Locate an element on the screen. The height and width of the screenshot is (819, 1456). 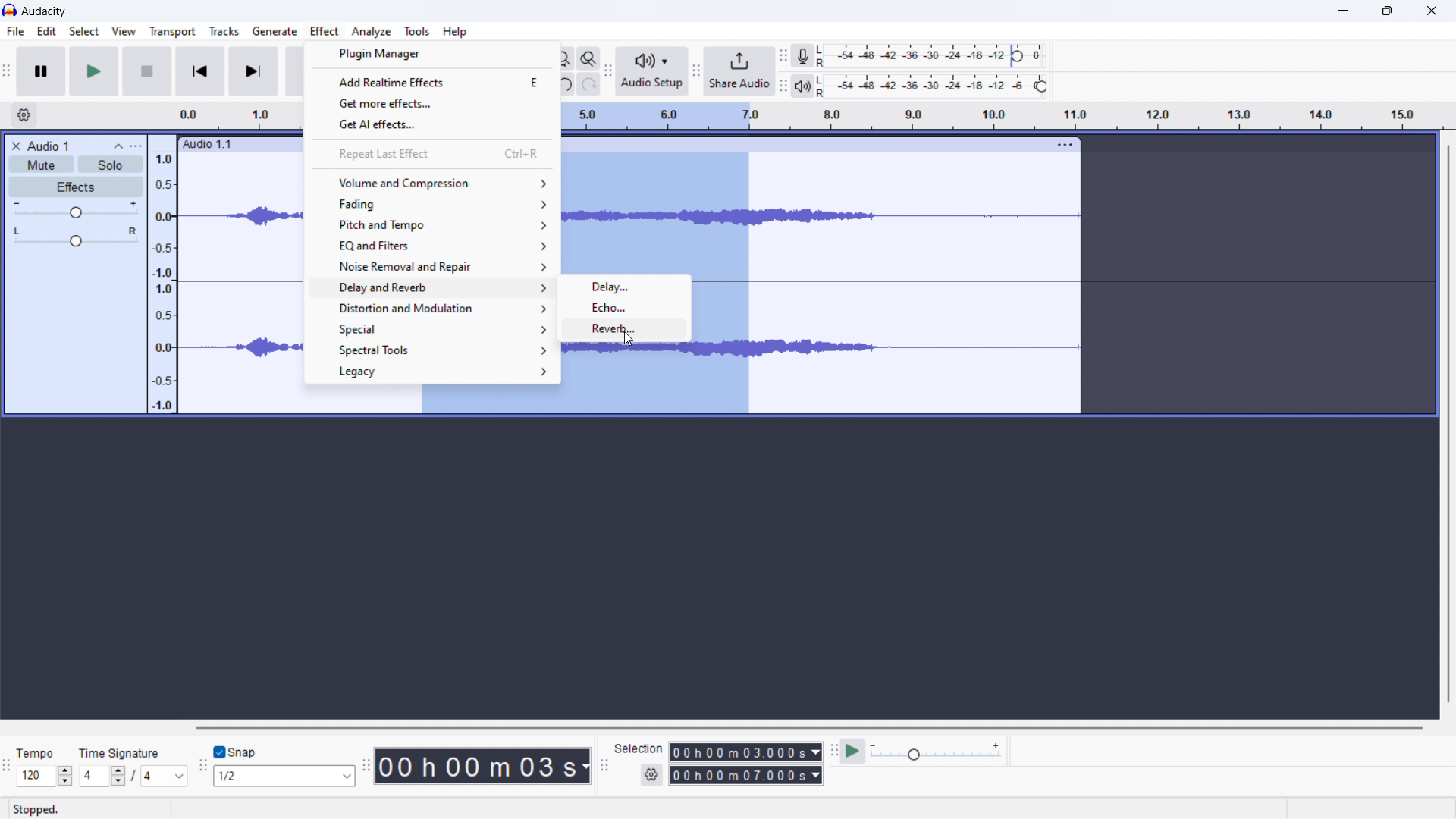
time toolbar is located at coordinates (366, 770).